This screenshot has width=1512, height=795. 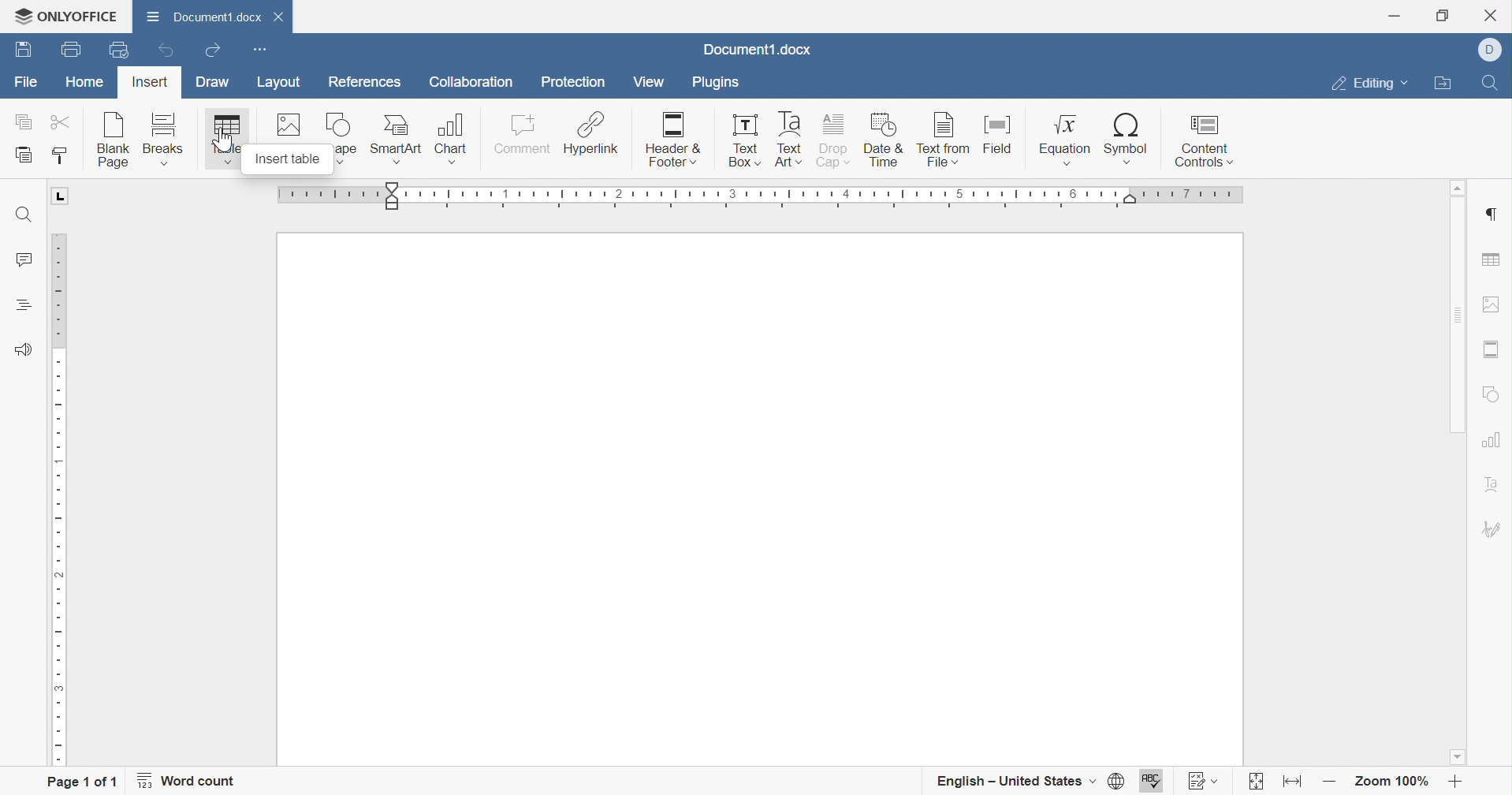 I want to click on Collaboration, so click(x=470, y=81).